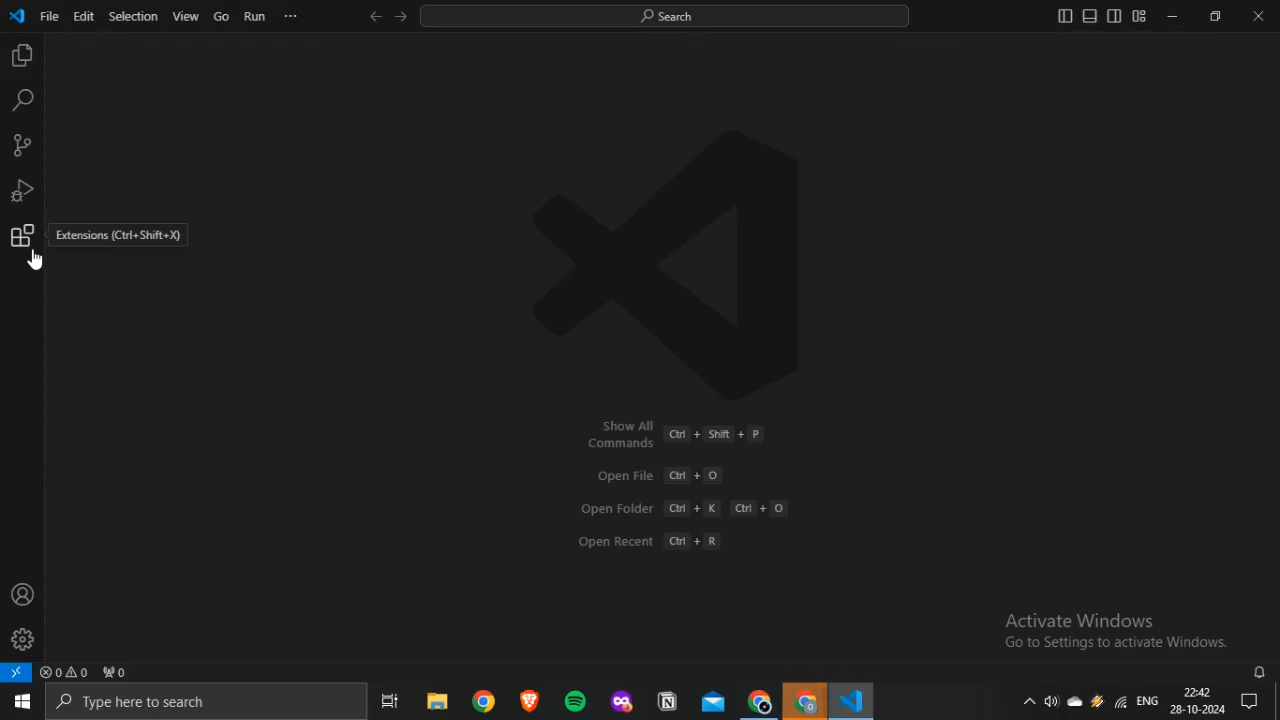 This screenshot has height=720, width=1280. What do you see at coordinates (22, 191) in the screenshot?
I see `run and debug` at bounding box center [22, 191].